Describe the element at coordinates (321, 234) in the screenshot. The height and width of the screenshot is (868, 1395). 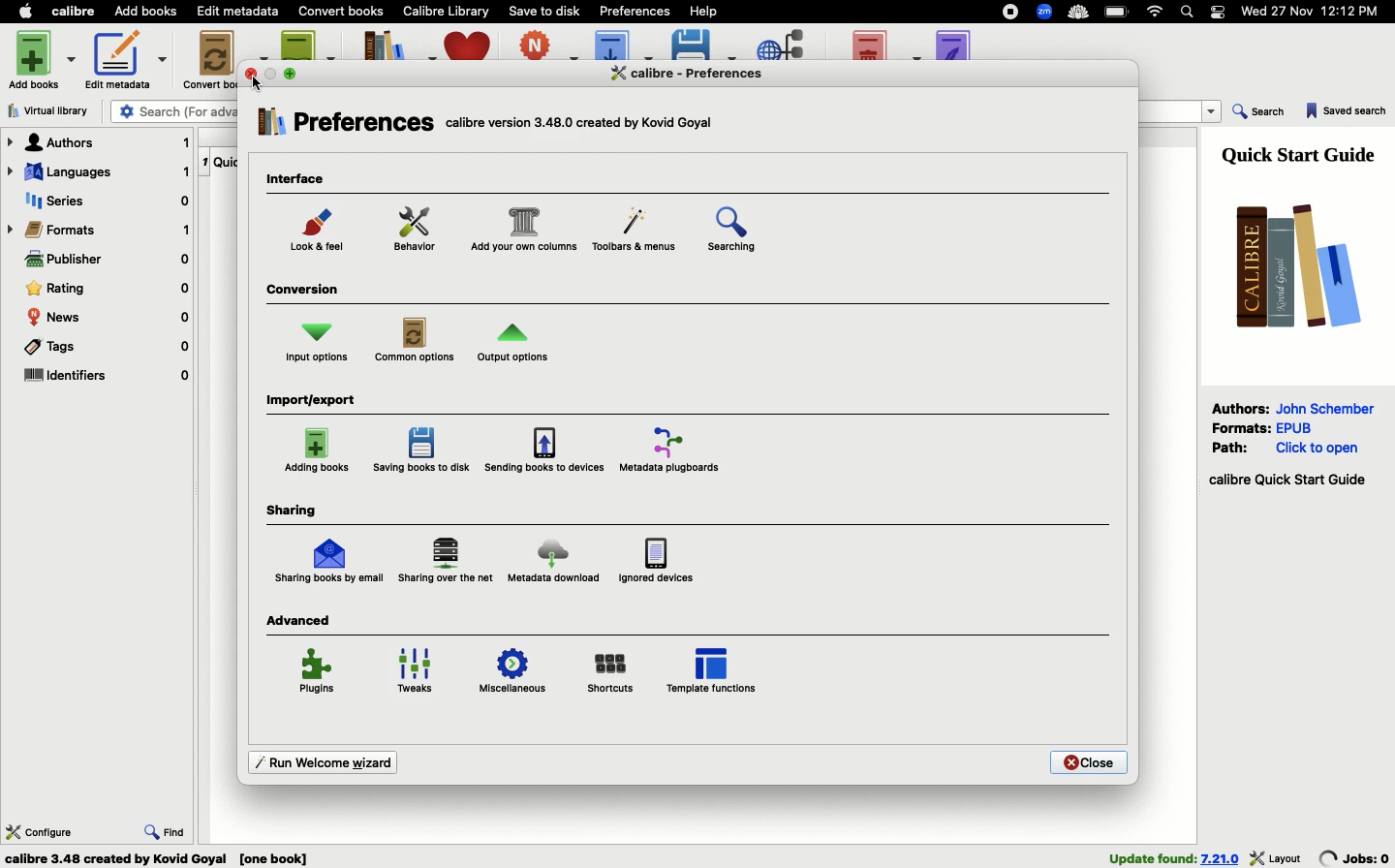
I see `Look and feel` at that location.